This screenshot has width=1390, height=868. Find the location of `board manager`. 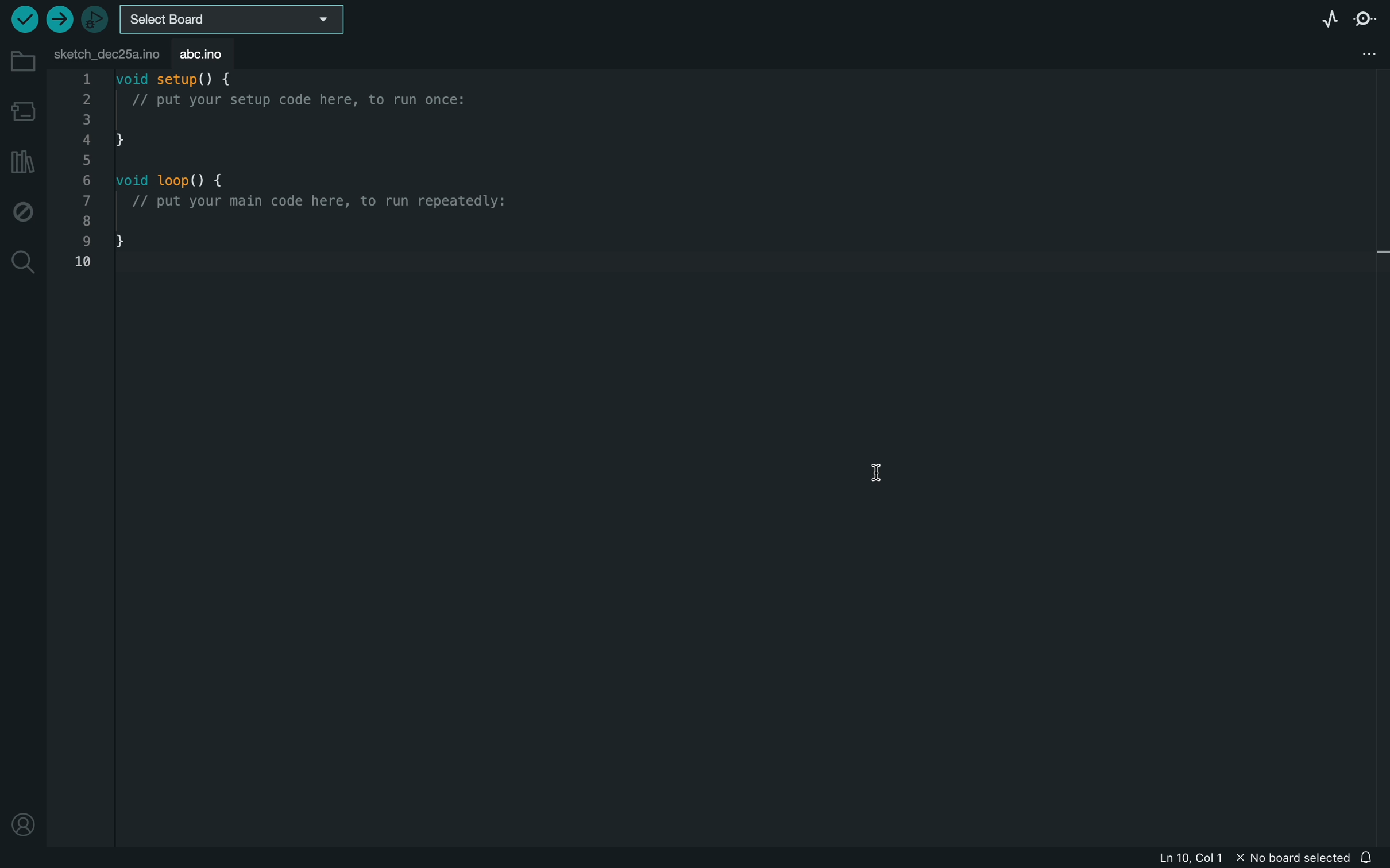

board manager is located at coordinates (23, 108).